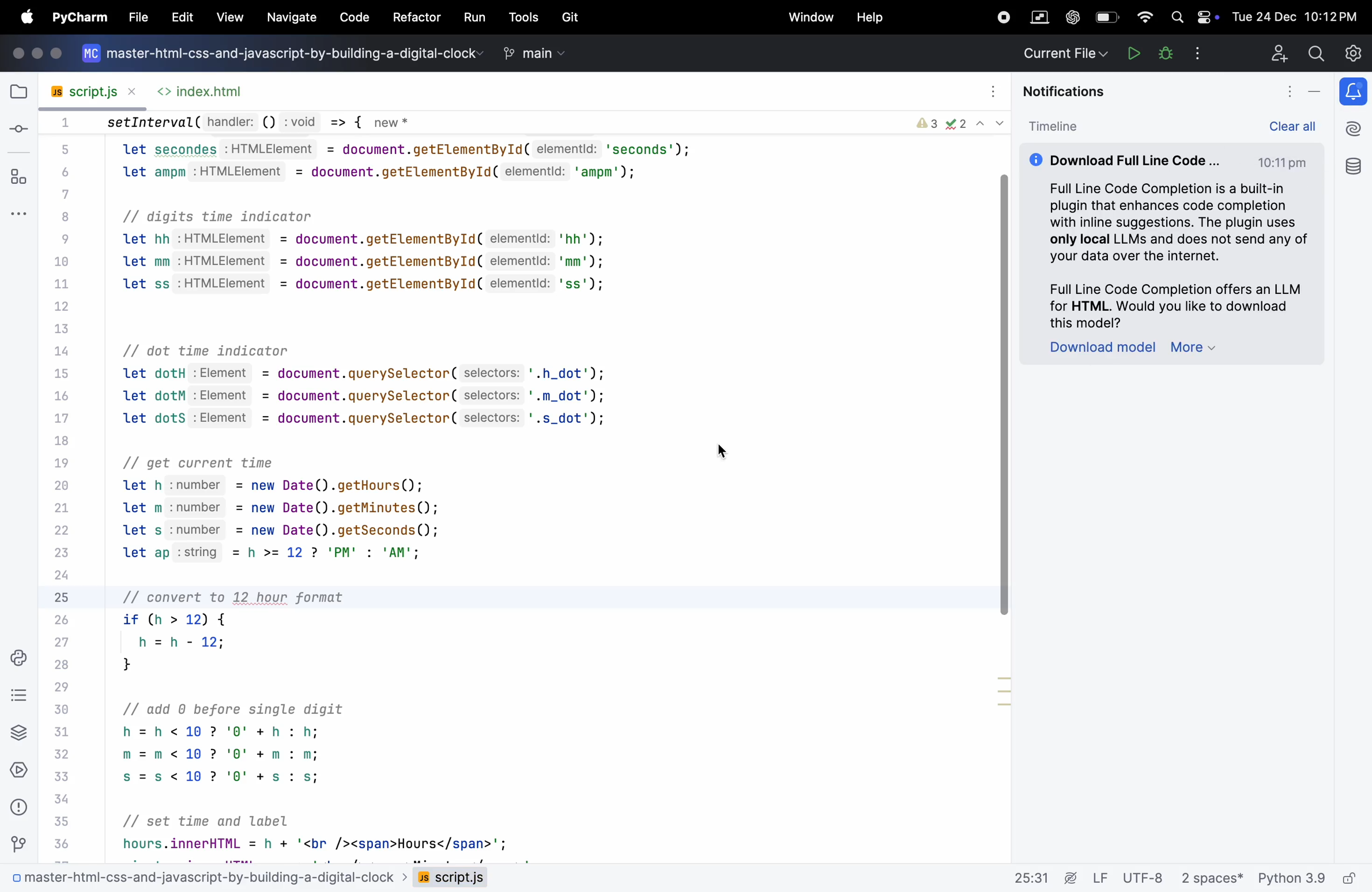 The width and height of the screenshot is (1372, 892). I want to click on settings, so click(1352, 52).